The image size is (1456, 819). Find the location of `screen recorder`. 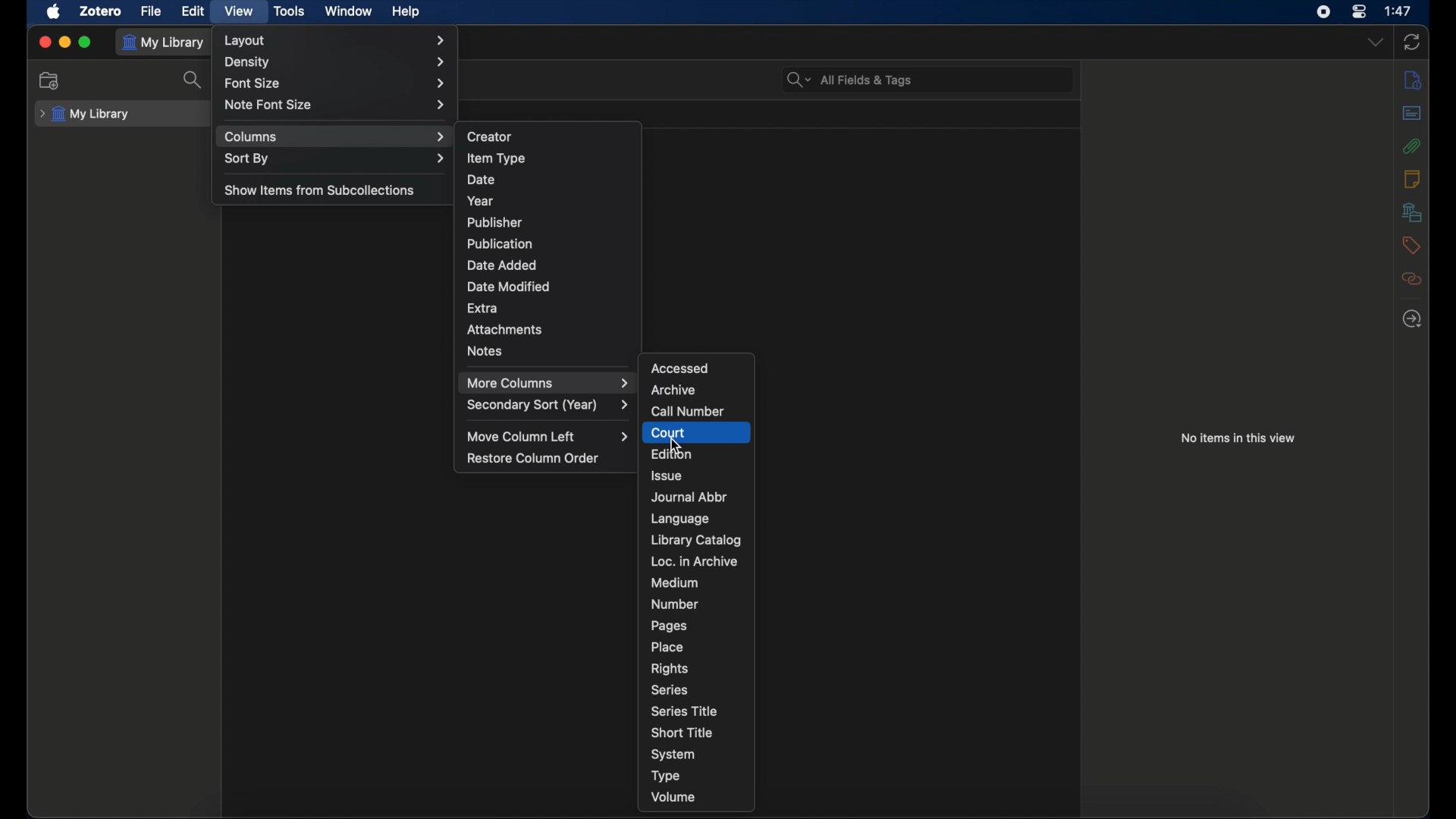

screen recorder is located at coordinates (1323, 11).